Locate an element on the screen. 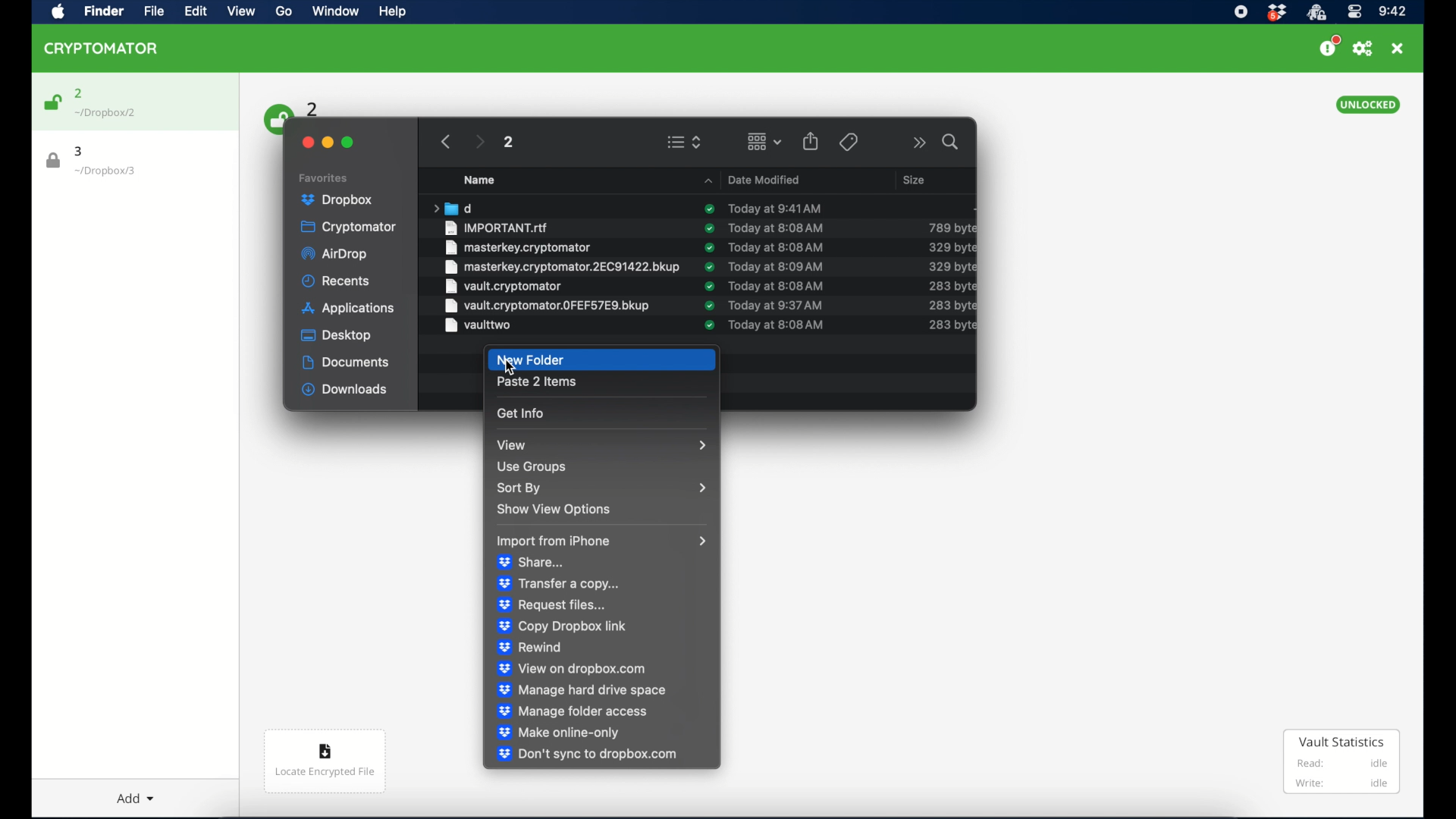  sync is located at coordinates (709, 286).